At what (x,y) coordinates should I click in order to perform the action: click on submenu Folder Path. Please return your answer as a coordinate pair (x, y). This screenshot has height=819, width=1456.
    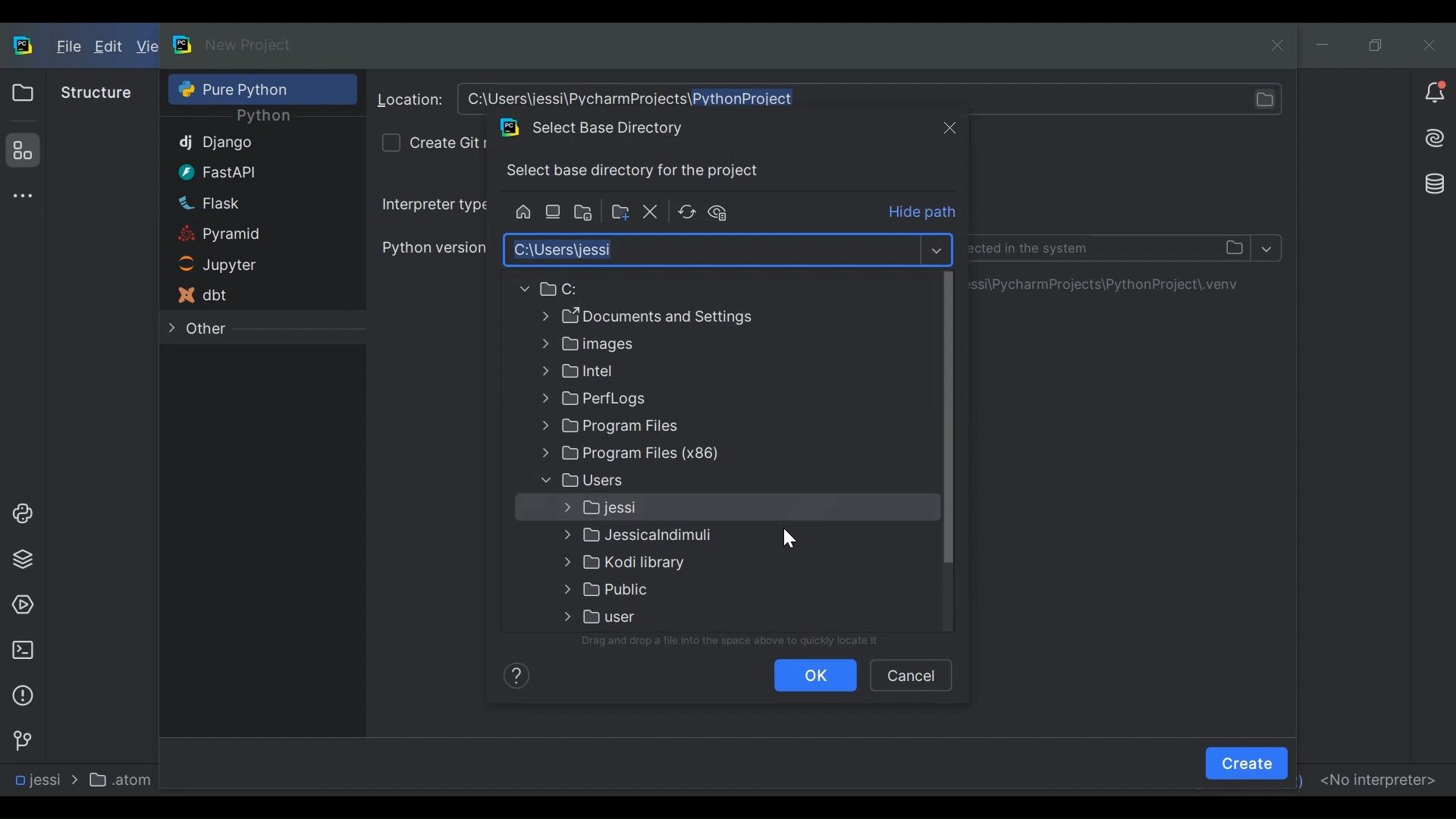
    Looking at the image, I should click on (673, 537).